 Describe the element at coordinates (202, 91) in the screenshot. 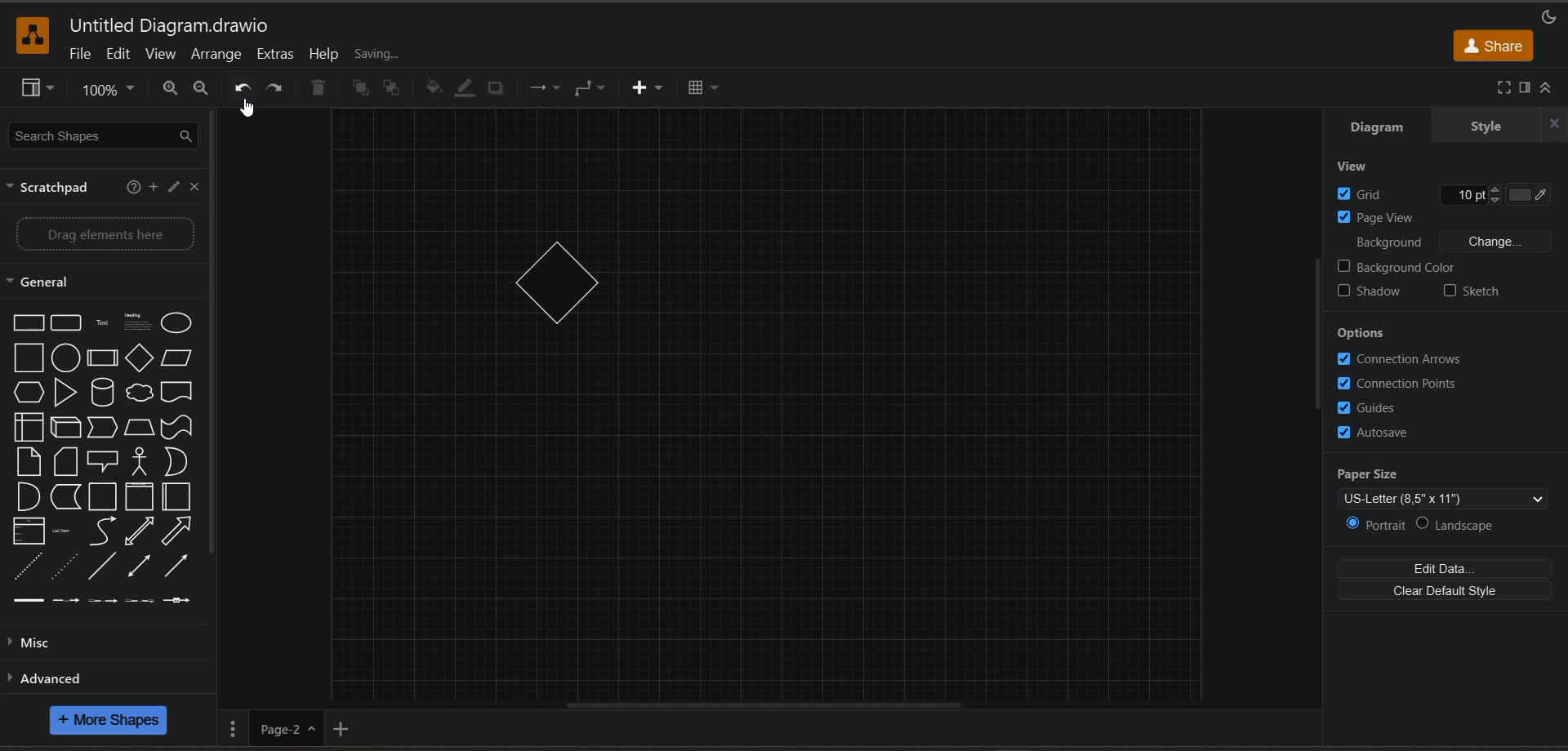

I see `zoom out` at that location.